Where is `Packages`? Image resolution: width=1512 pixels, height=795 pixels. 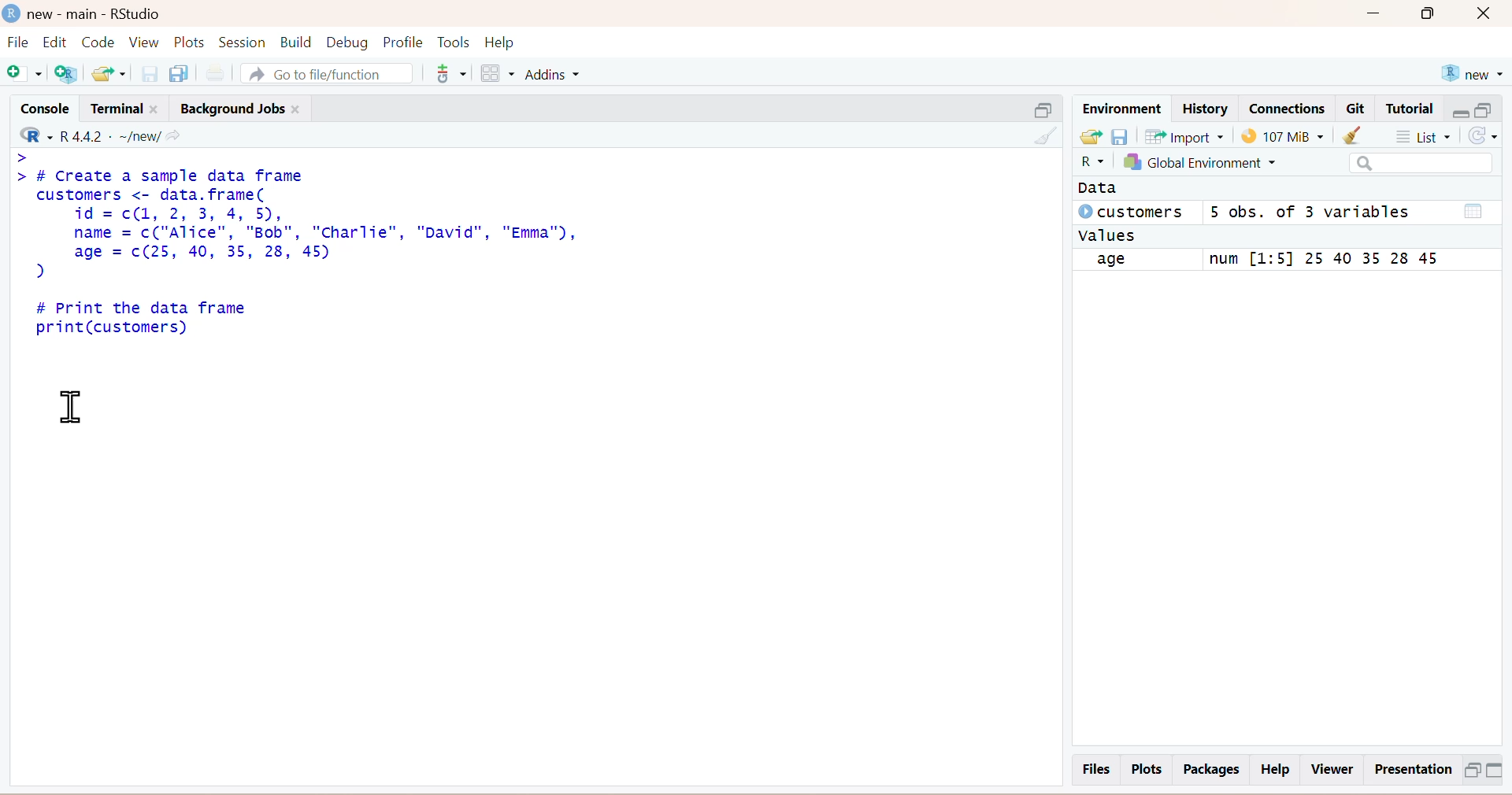
Packages is located at coordinates (1209, 769).